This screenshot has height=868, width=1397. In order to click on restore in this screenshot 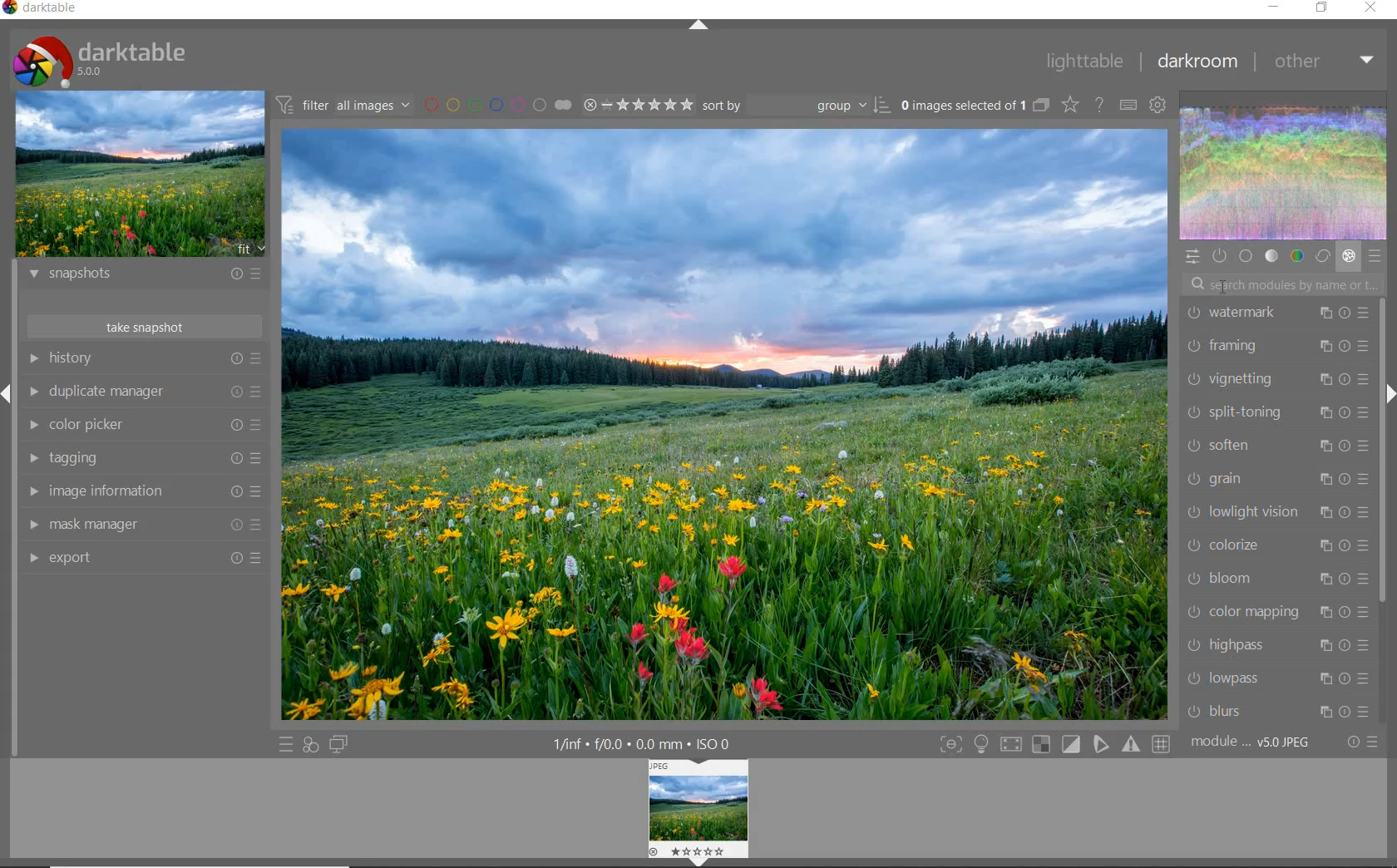, I will do `click(1324, 8)`.